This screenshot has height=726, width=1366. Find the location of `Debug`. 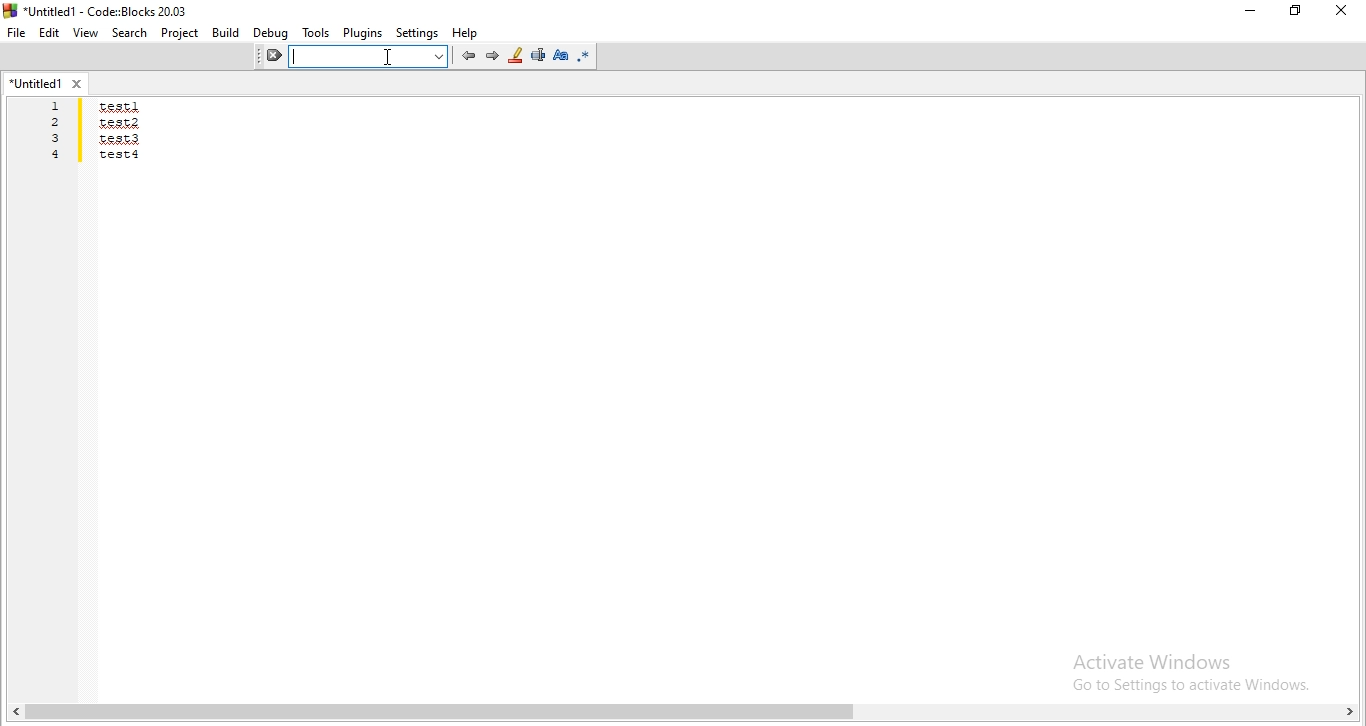

Debug is located at coordinates (271, 34).